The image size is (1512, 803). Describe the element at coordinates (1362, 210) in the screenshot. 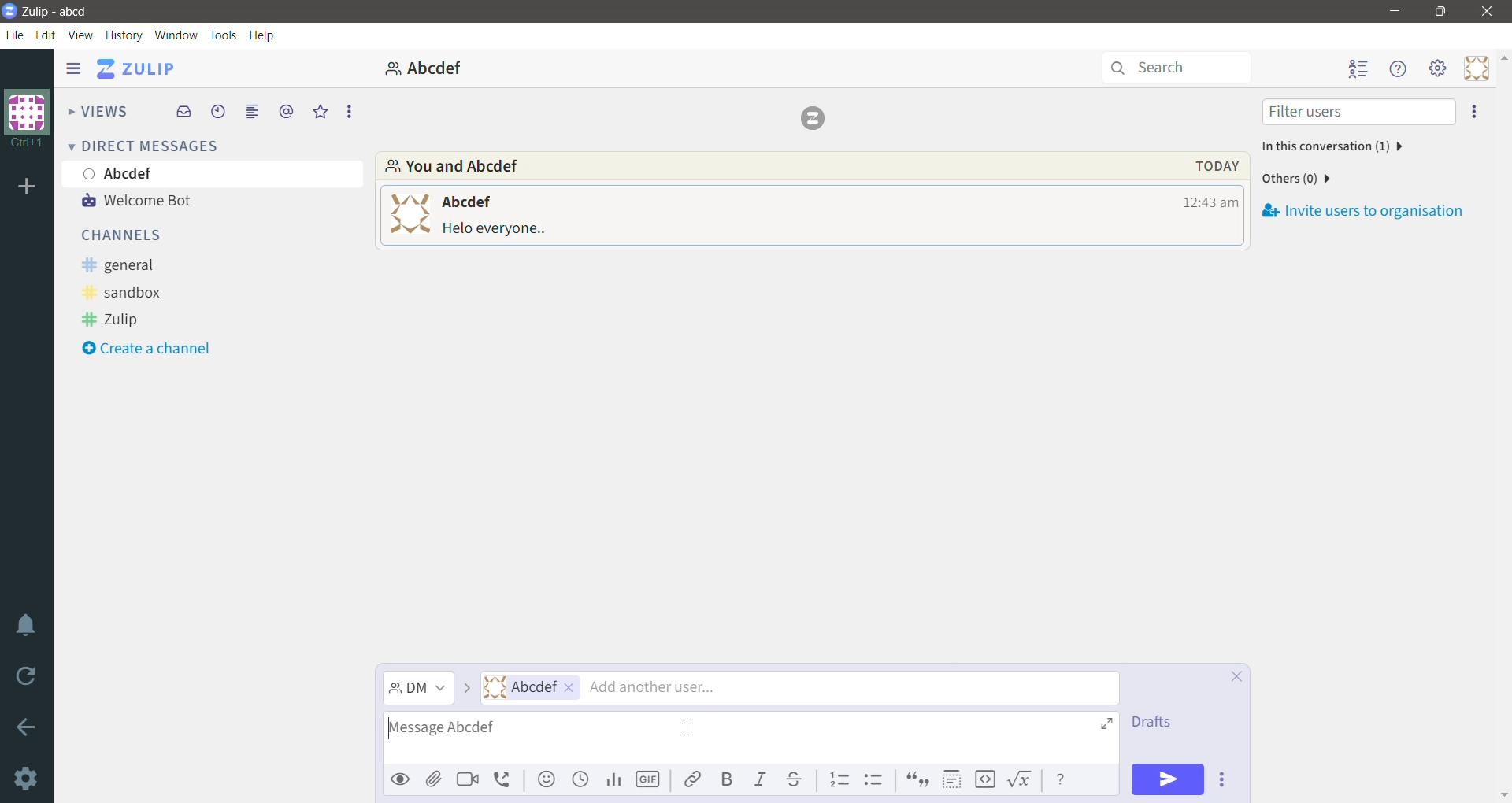

I see `Invite users to organization` at that location.